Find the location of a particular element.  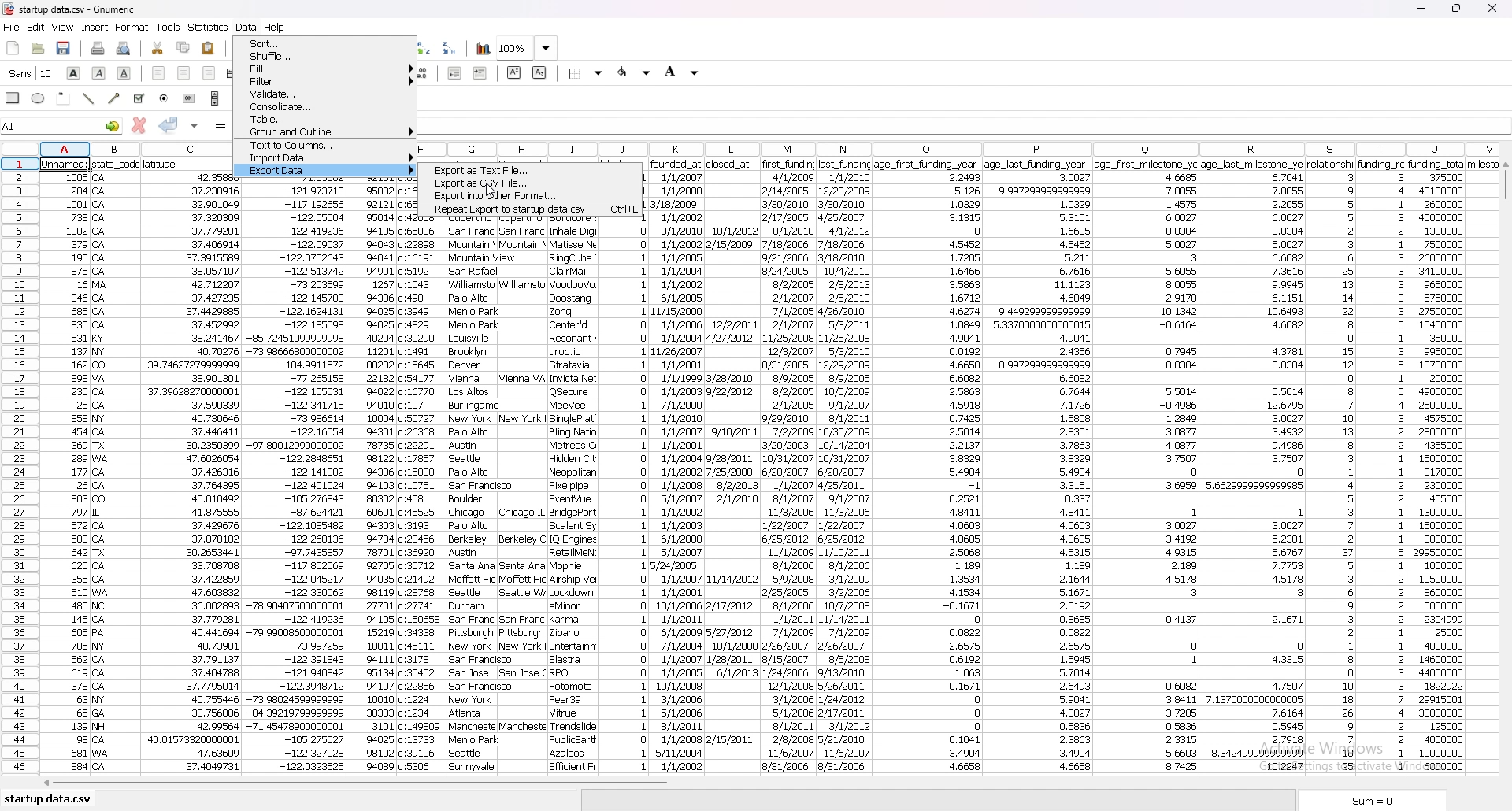

new is located at coordinates (13, 49).